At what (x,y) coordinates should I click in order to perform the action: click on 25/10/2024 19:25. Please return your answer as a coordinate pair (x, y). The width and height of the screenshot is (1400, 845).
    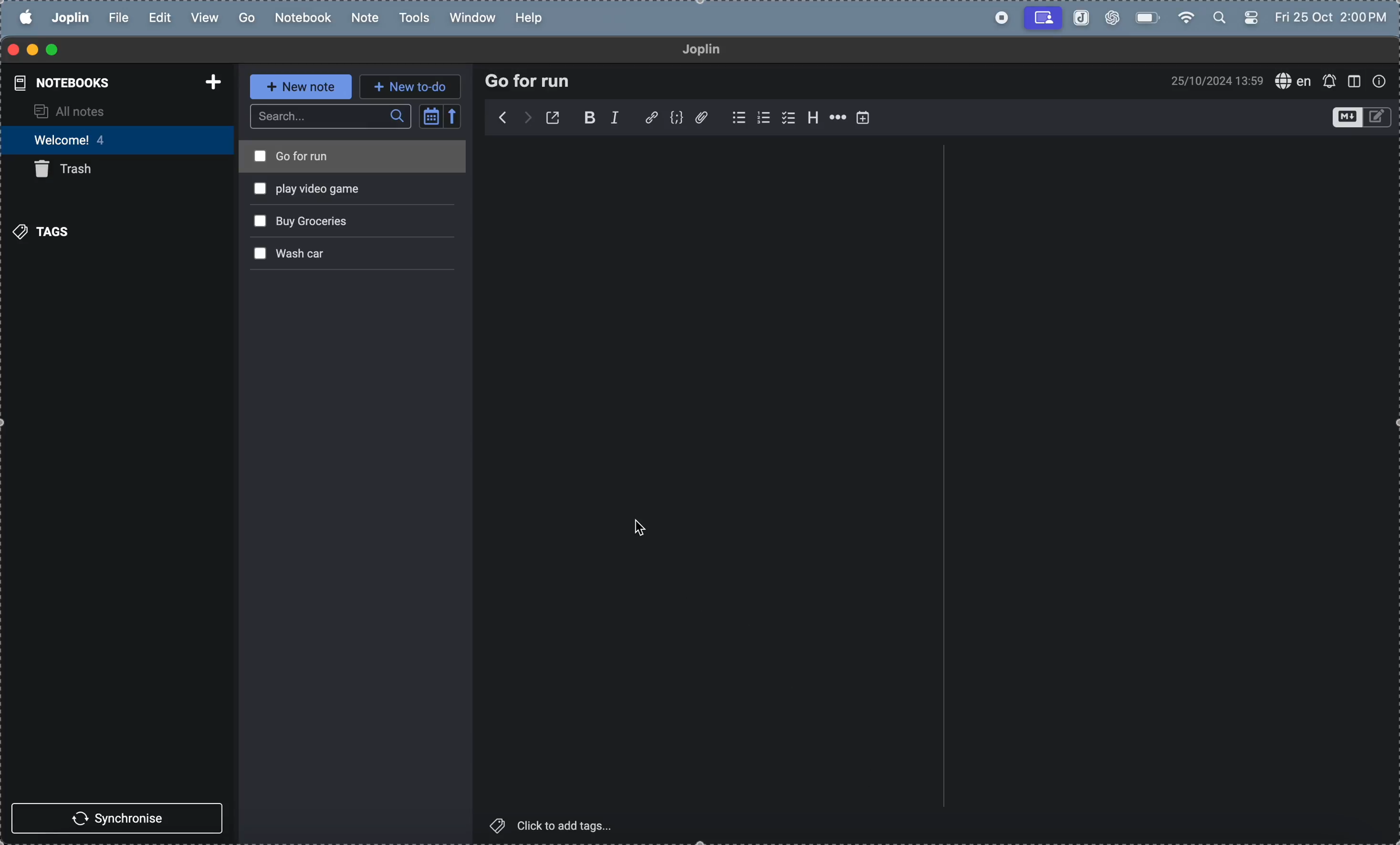
    Looking at the image, I should click on (1215, 83).